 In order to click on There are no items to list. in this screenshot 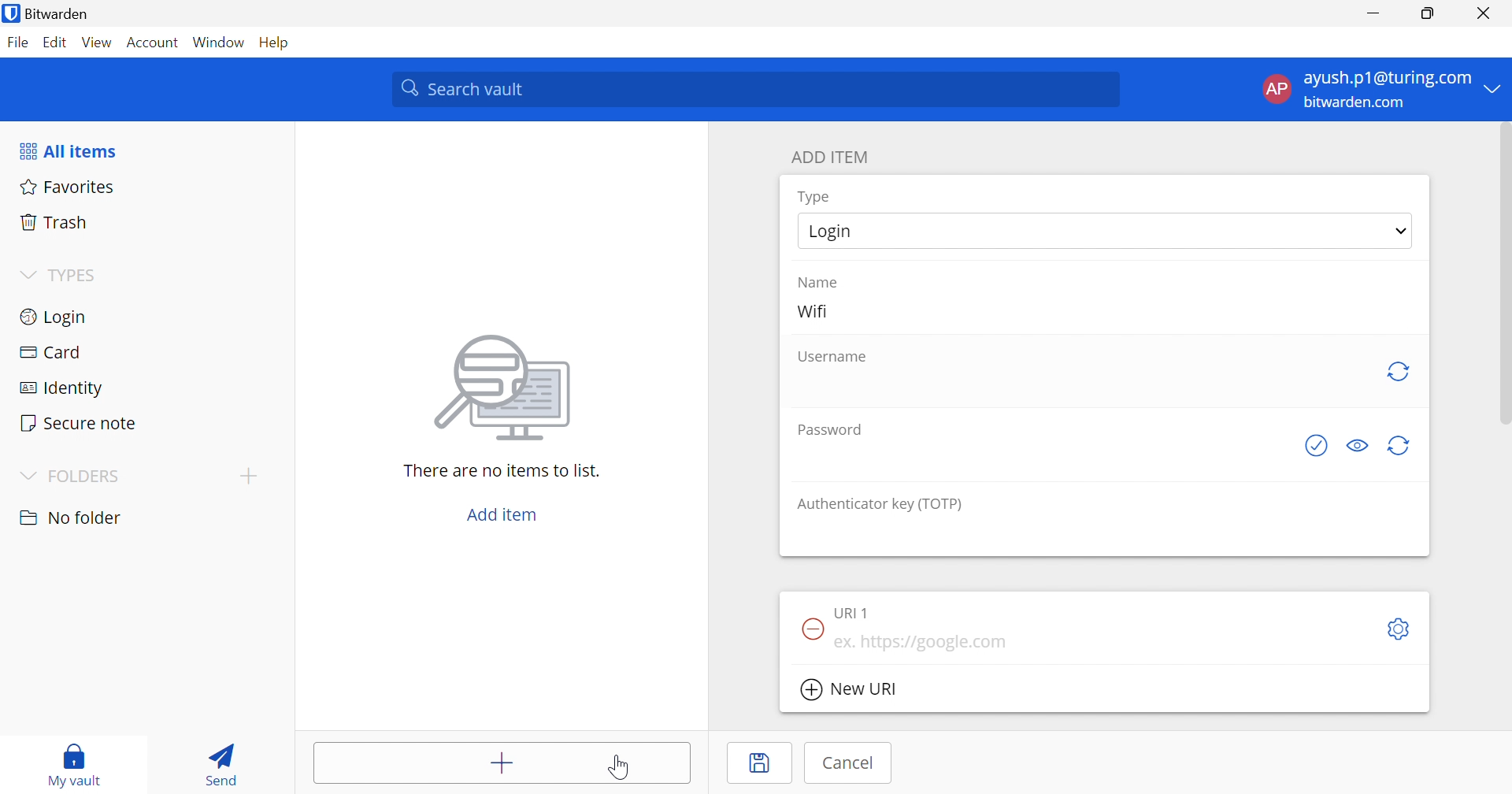, I will do `click(503, 469)`.